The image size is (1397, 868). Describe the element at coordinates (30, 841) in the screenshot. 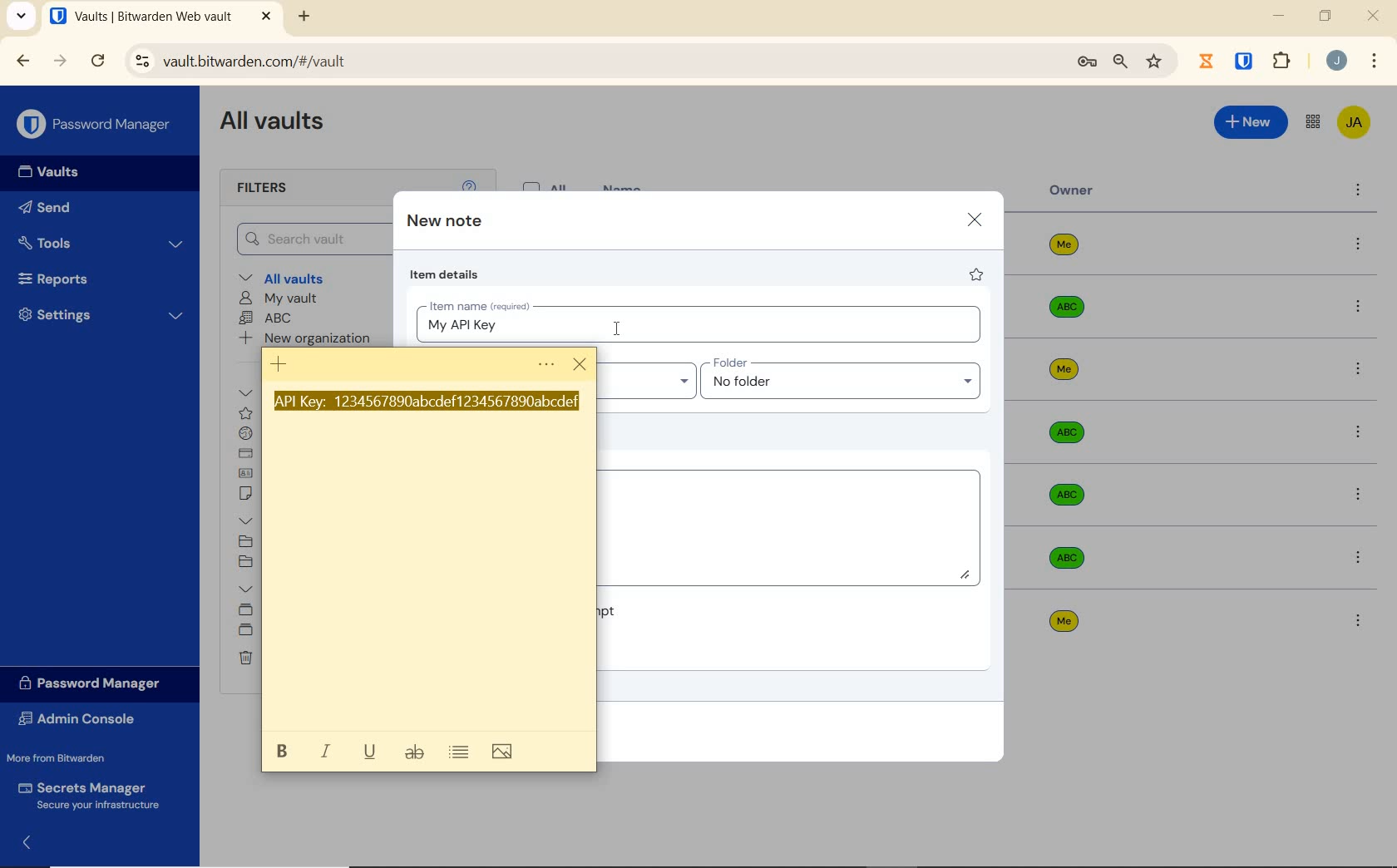

I see `expand/collapse` at that location.